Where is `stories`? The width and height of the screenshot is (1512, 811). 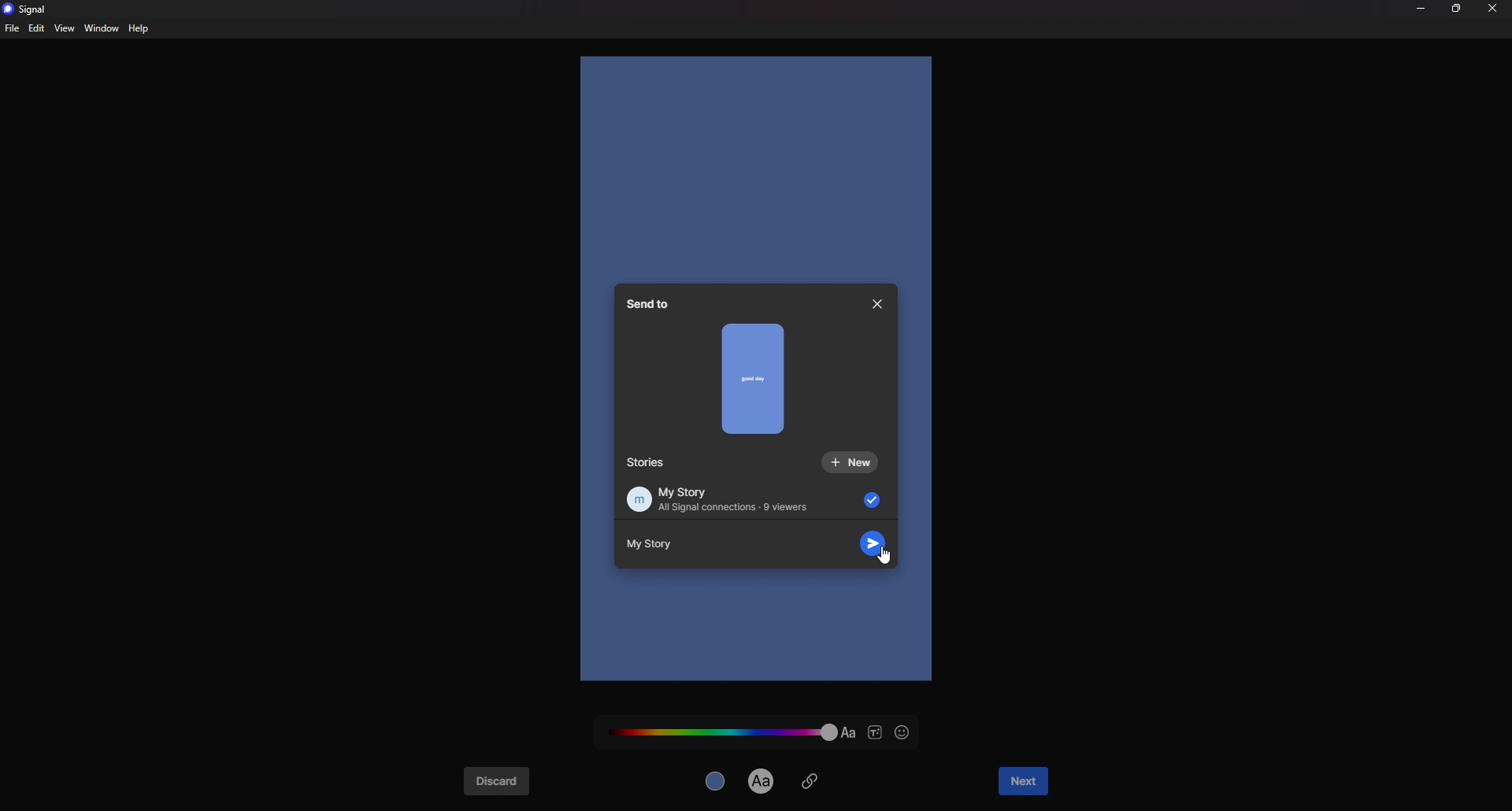 stories is located at coordinates (648, 463).